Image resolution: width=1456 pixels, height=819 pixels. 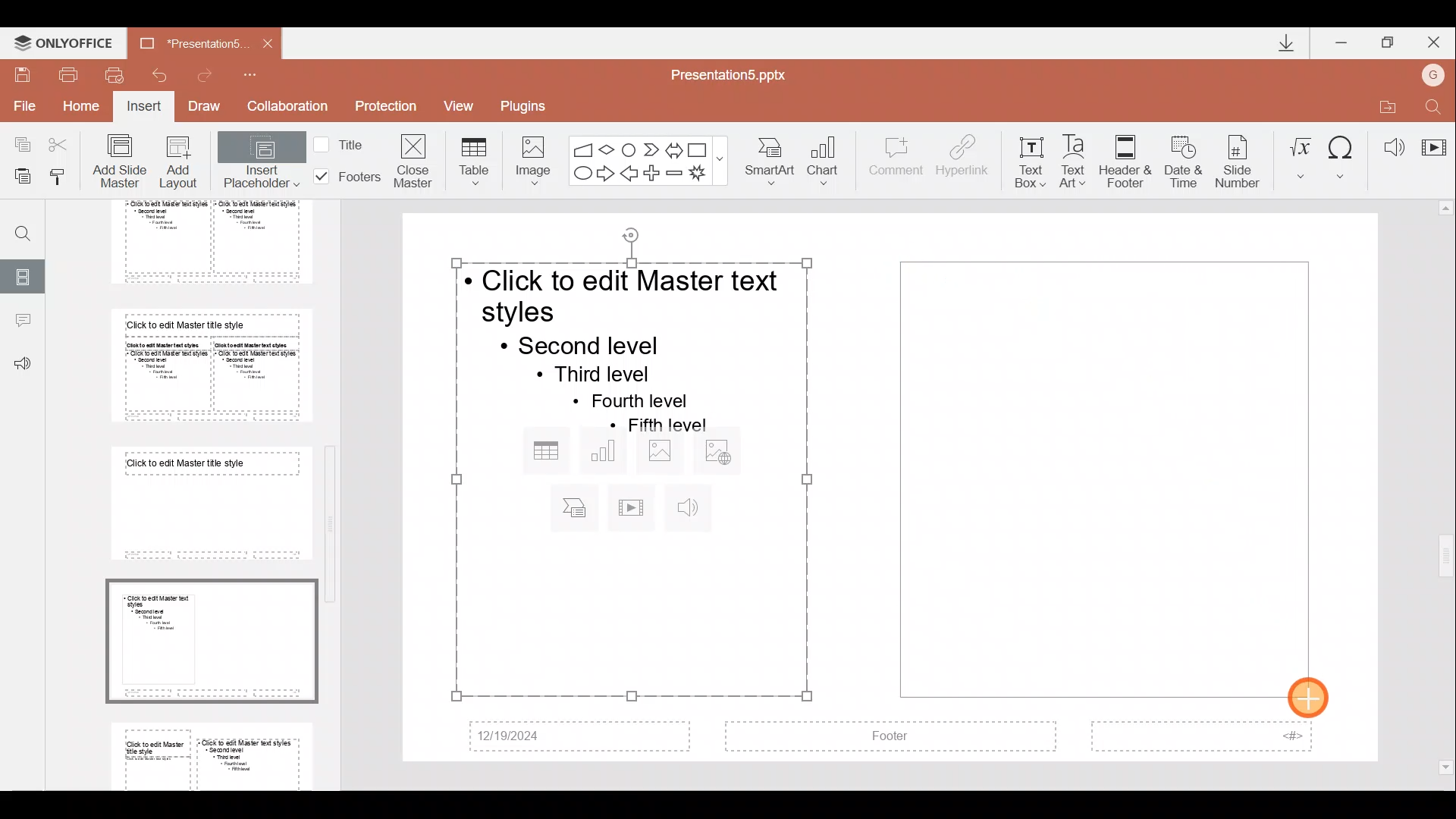 I want to click on Title, so click(x=343, y=143).